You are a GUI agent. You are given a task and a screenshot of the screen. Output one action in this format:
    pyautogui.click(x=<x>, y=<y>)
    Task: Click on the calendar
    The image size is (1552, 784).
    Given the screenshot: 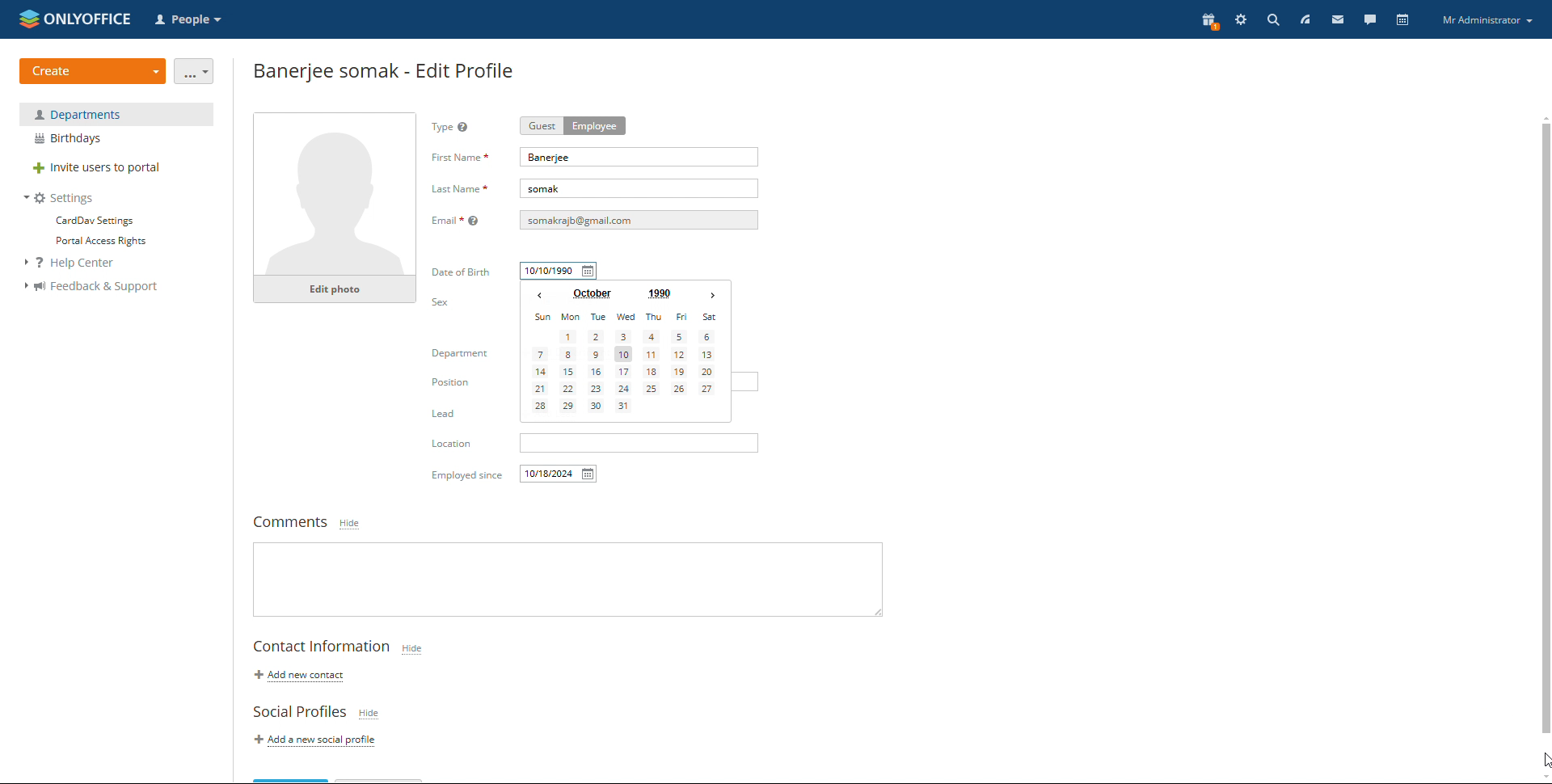 What is the action you would take?
    pyautogui.click(x=1402, y=19)
    